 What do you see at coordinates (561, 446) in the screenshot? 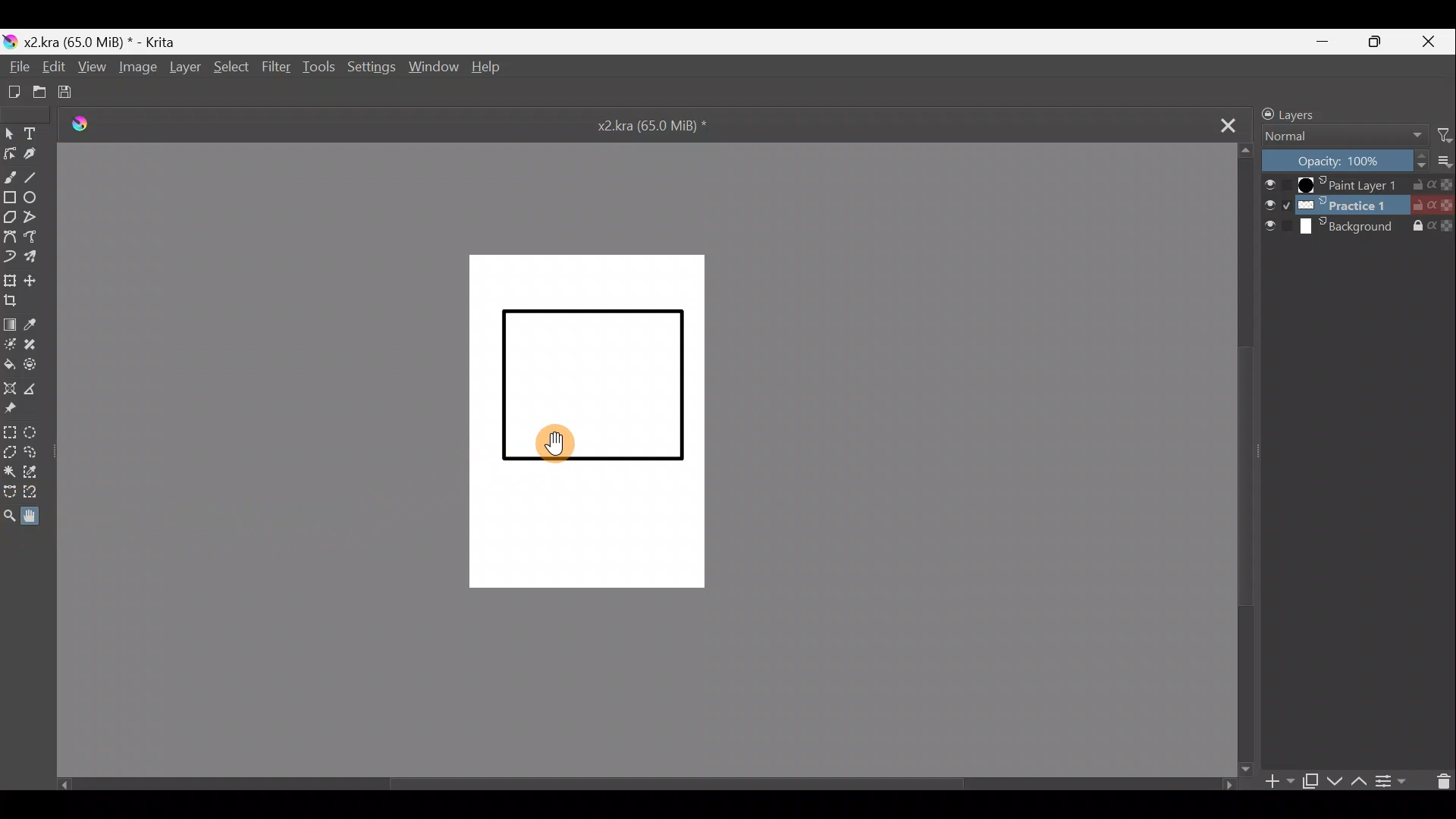
I see `Pan tool on the canvas` at bounding box center [561, 446].